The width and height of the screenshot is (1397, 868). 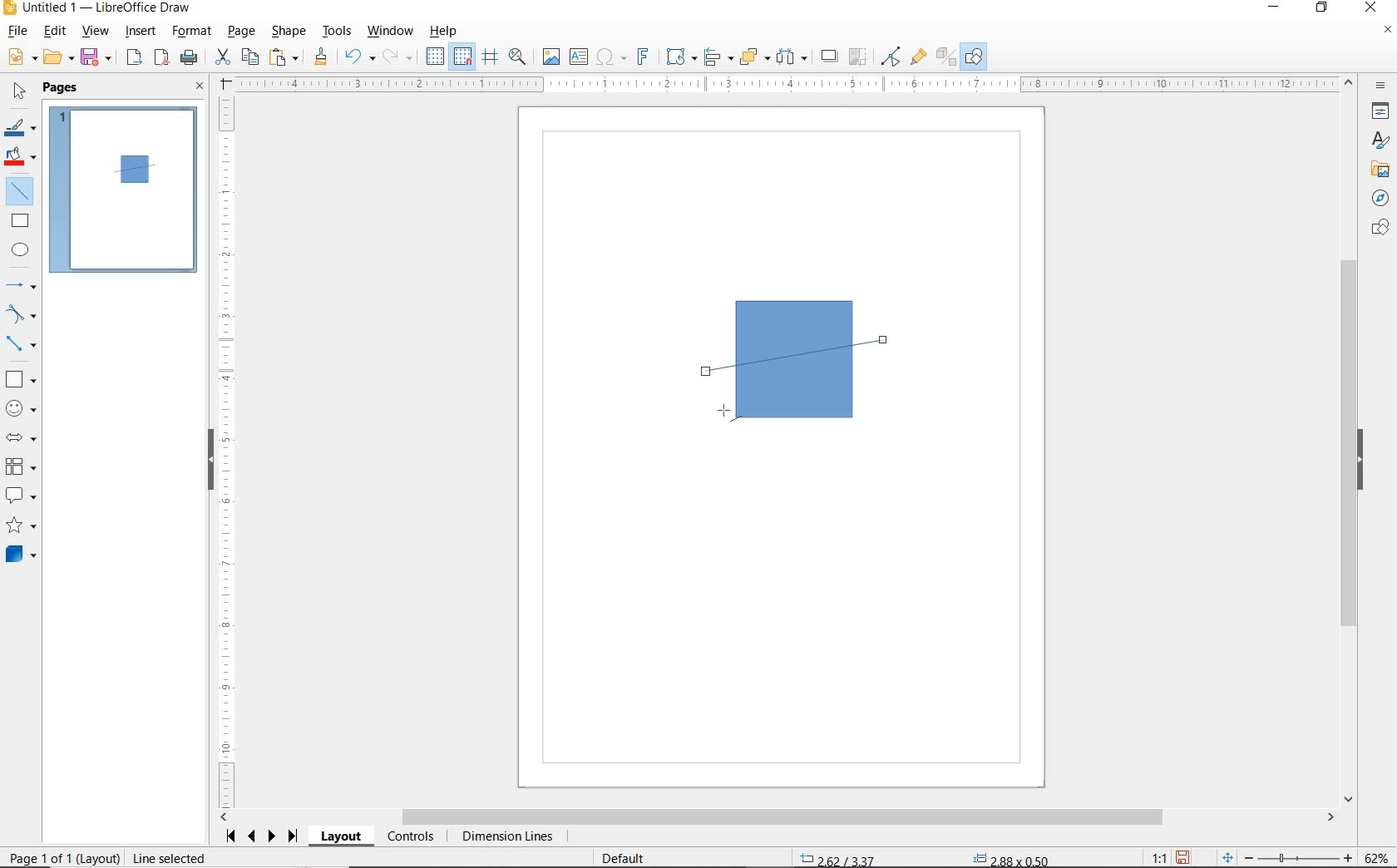 What do you see at coordinates (729, 413) in the screenshot?
I see `LINE TOOL` at bounding box center [729, 413].